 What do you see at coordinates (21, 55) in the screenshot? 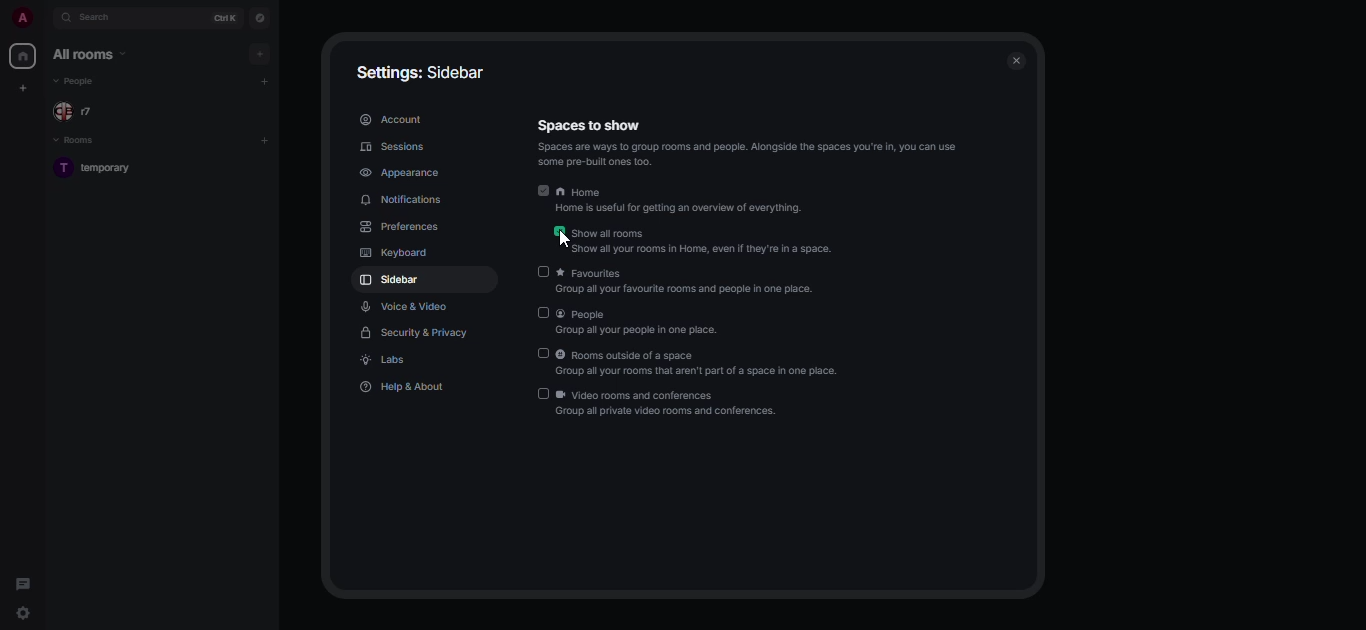
I see `home` at bounding box center [21, 55].